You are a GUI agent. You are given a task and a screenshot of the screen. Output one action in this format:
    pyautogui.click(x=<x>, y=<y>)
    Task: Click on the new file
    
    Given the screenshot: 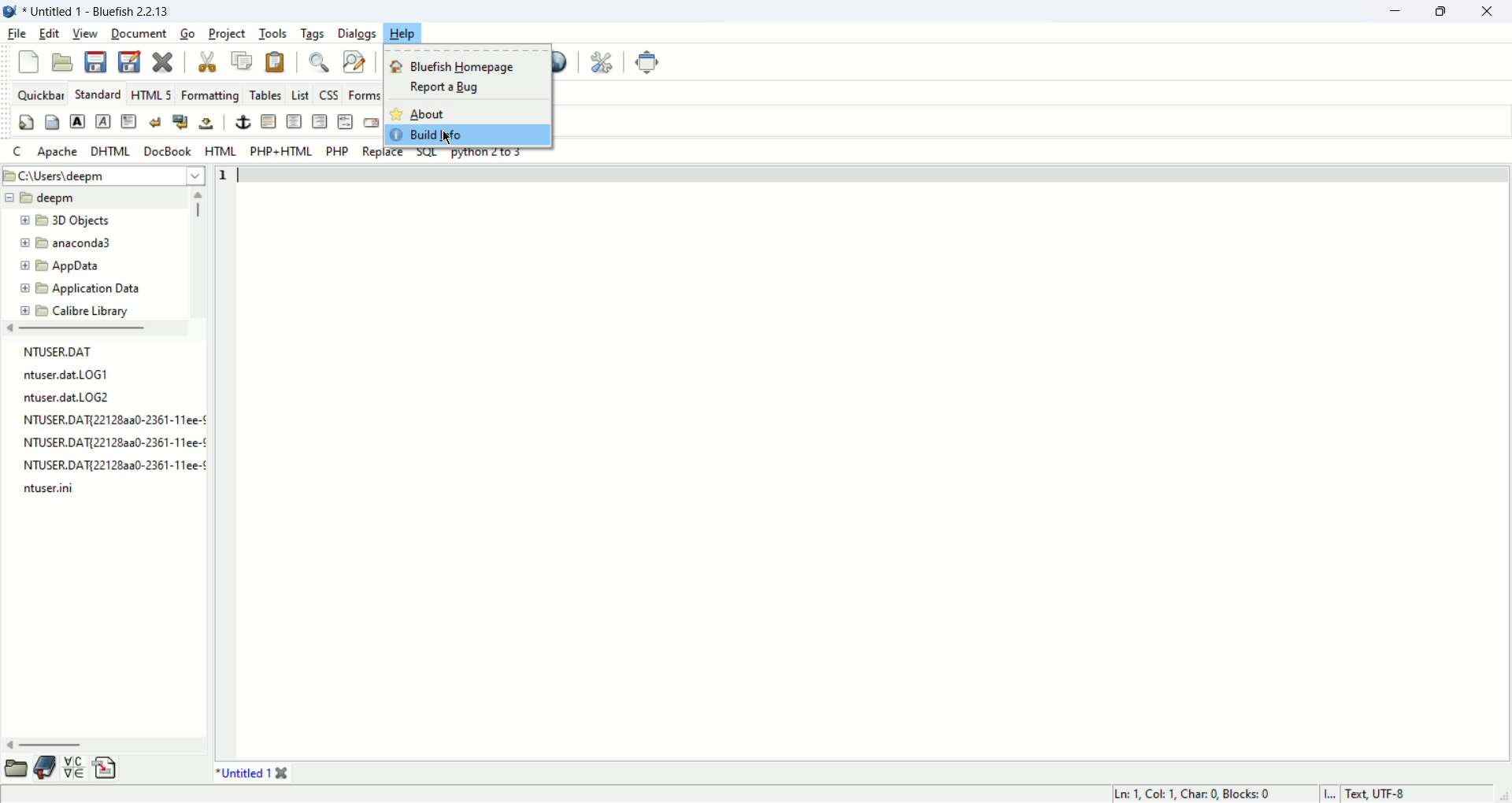 What is the action you would take?
    pyautogui.click(x=29, y=61)
    